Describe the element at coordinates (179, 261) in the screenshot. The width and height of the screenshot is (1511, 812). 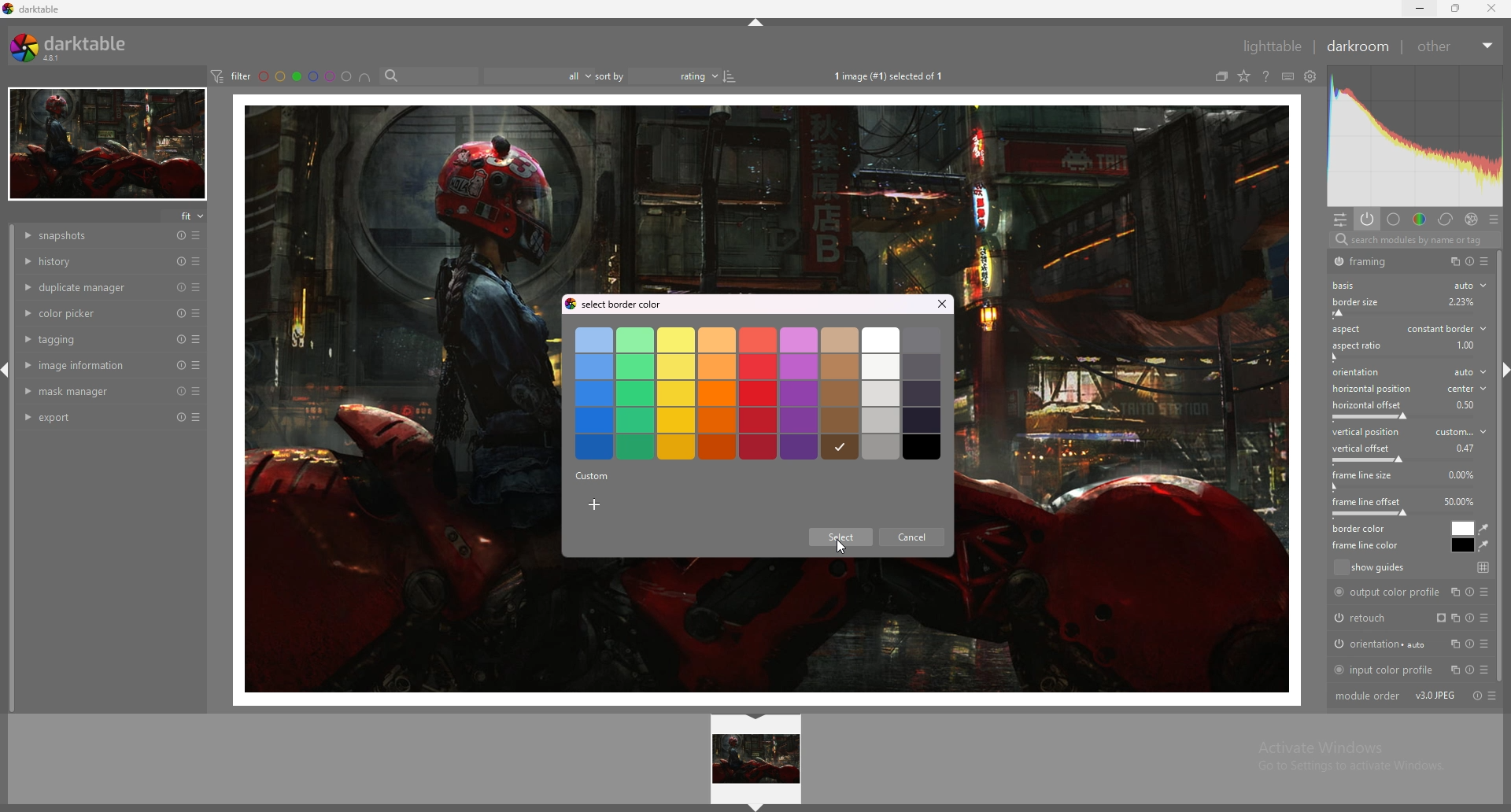
I see `reset` at that location.